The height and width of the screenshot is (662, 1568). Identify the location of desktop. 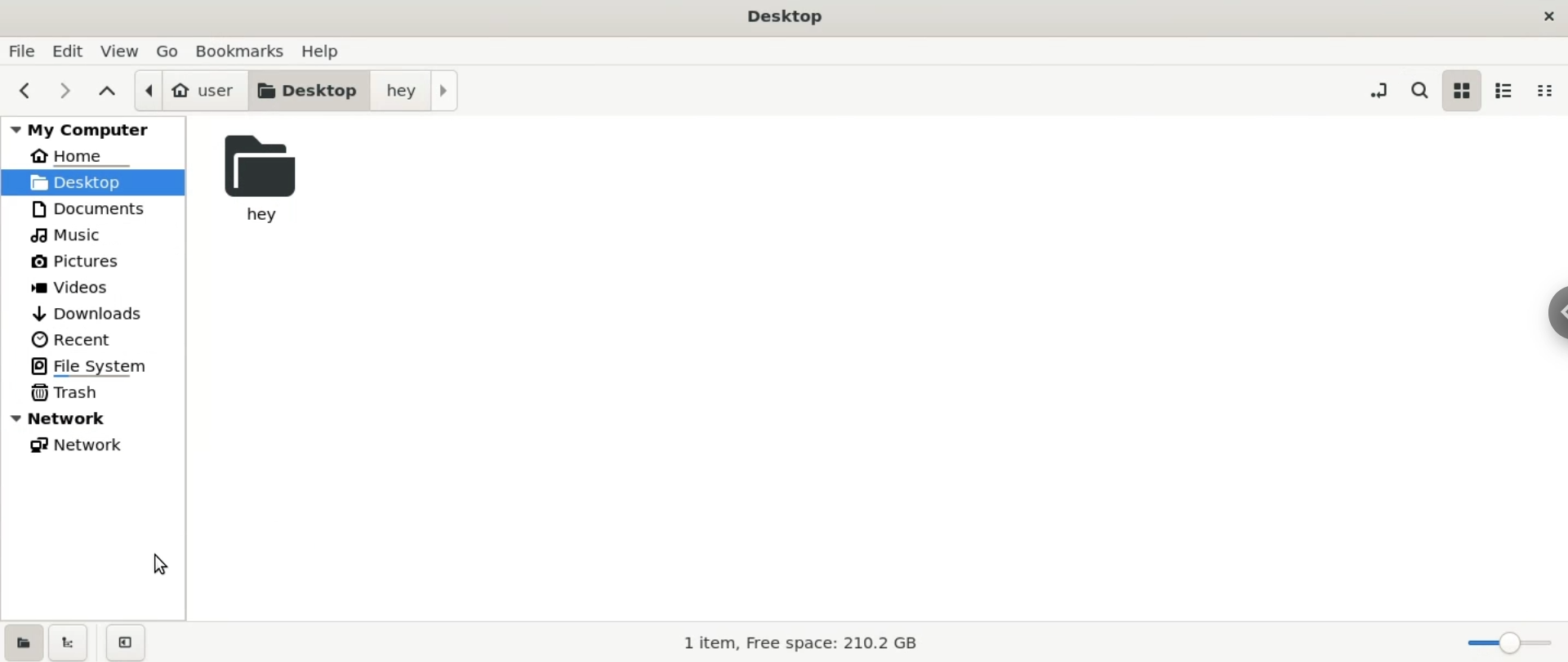
(310, 92).